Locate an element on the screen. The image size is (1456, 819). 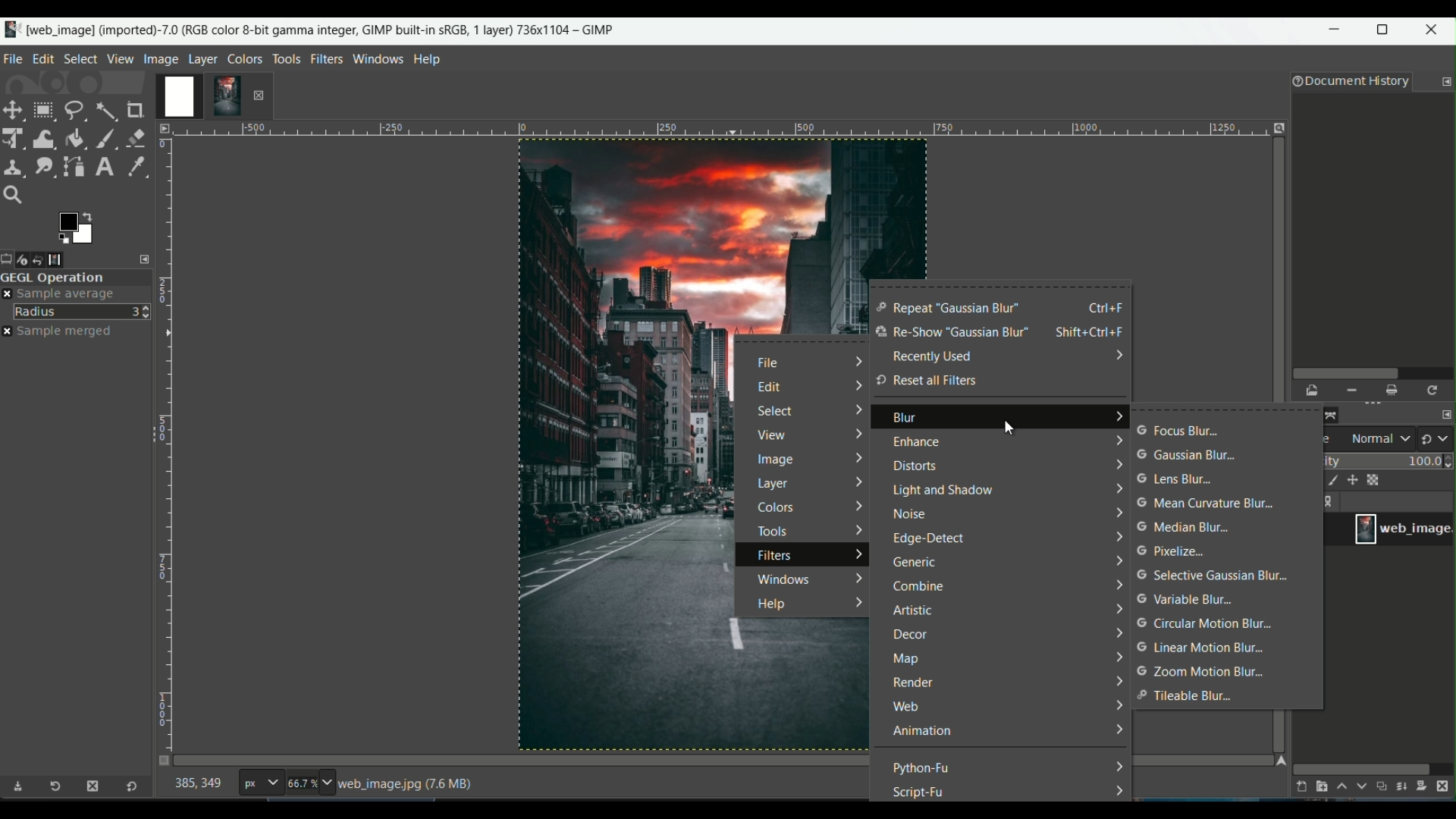
delete this layer is located at coordinates (1447, 786).